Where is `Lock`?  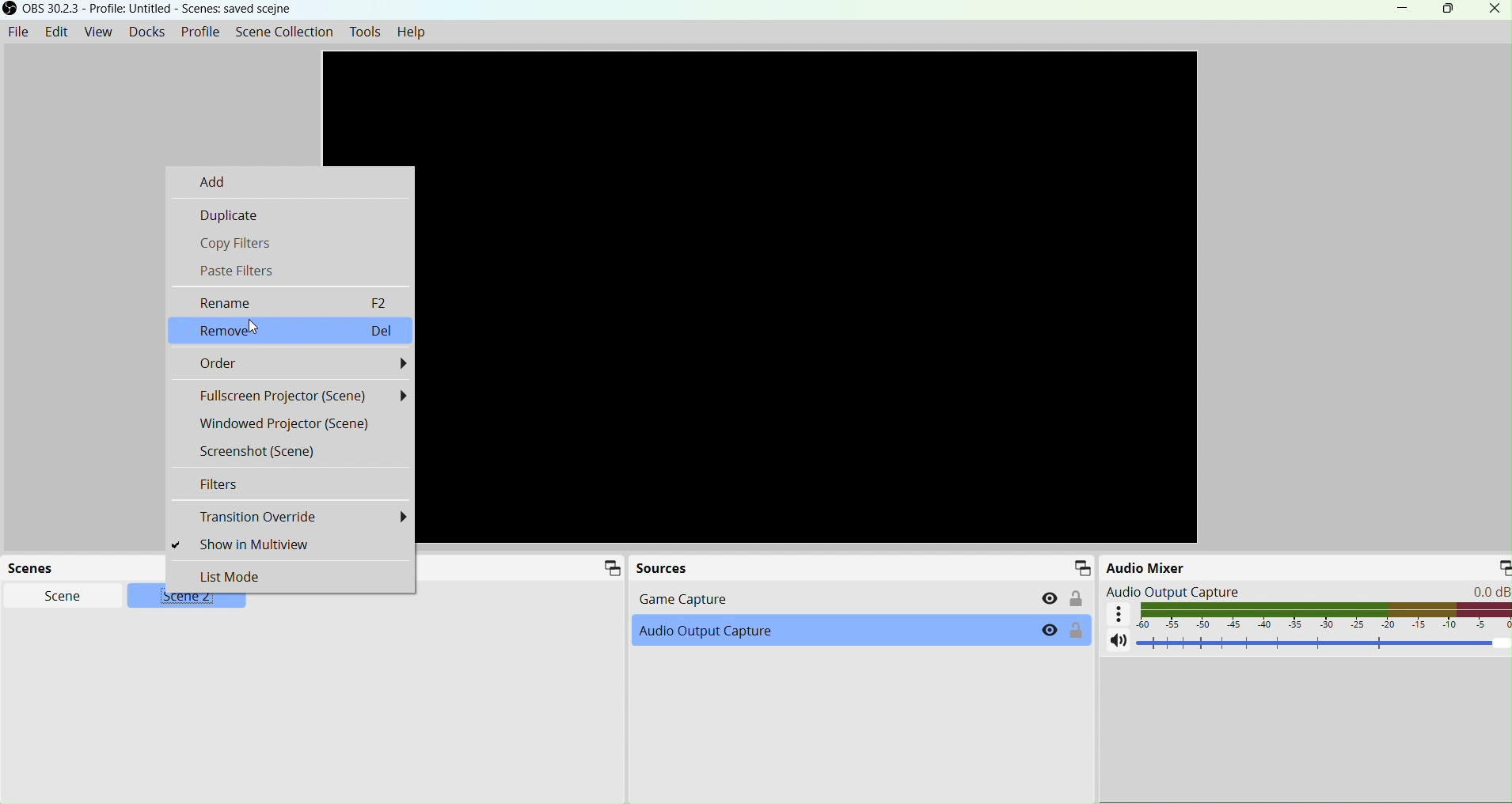 Lock is located at coordinates (1077, 633).